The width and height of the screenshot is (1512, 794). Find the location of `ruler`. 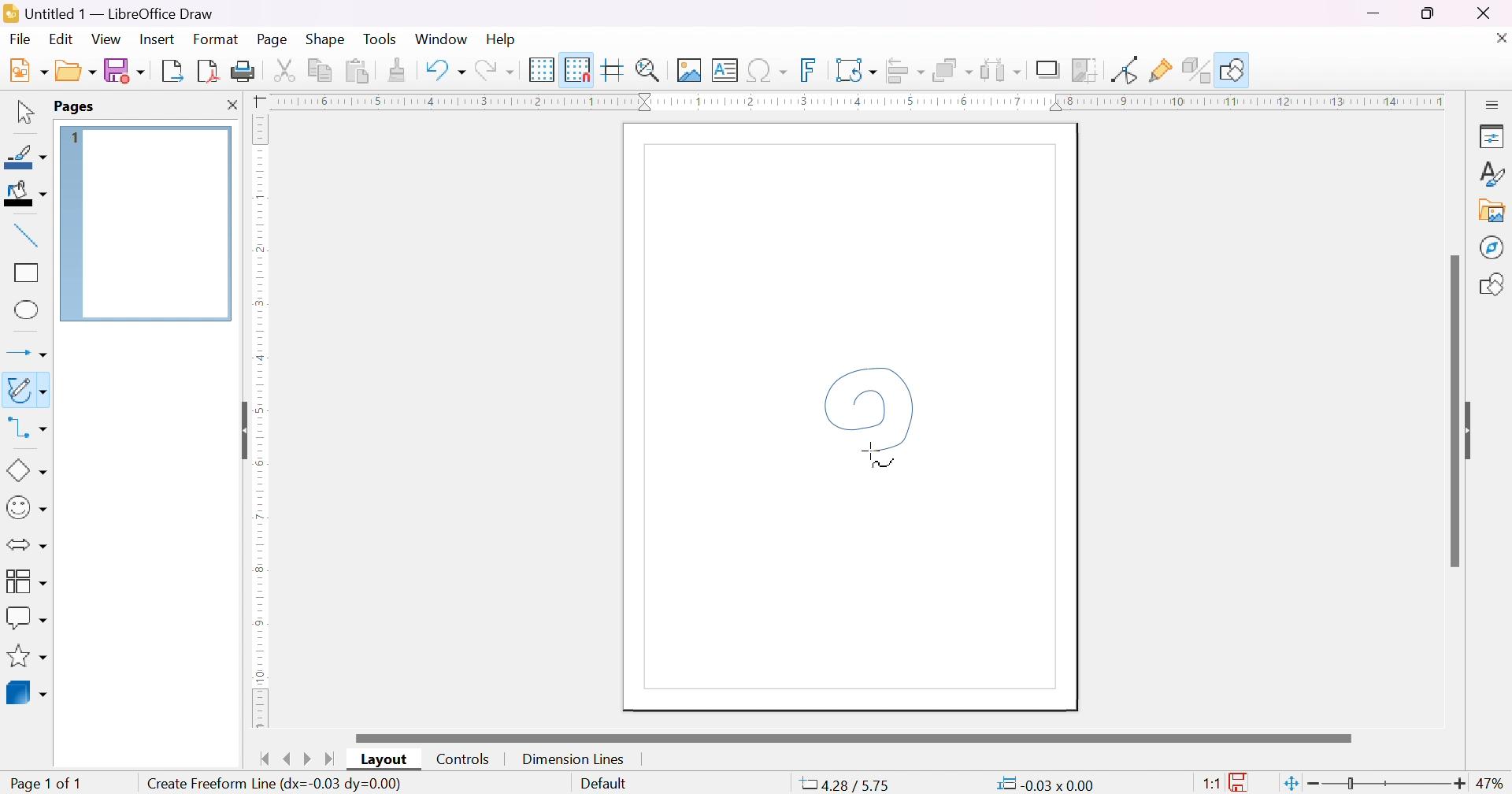

ruler is located at coordinates (256, 577).